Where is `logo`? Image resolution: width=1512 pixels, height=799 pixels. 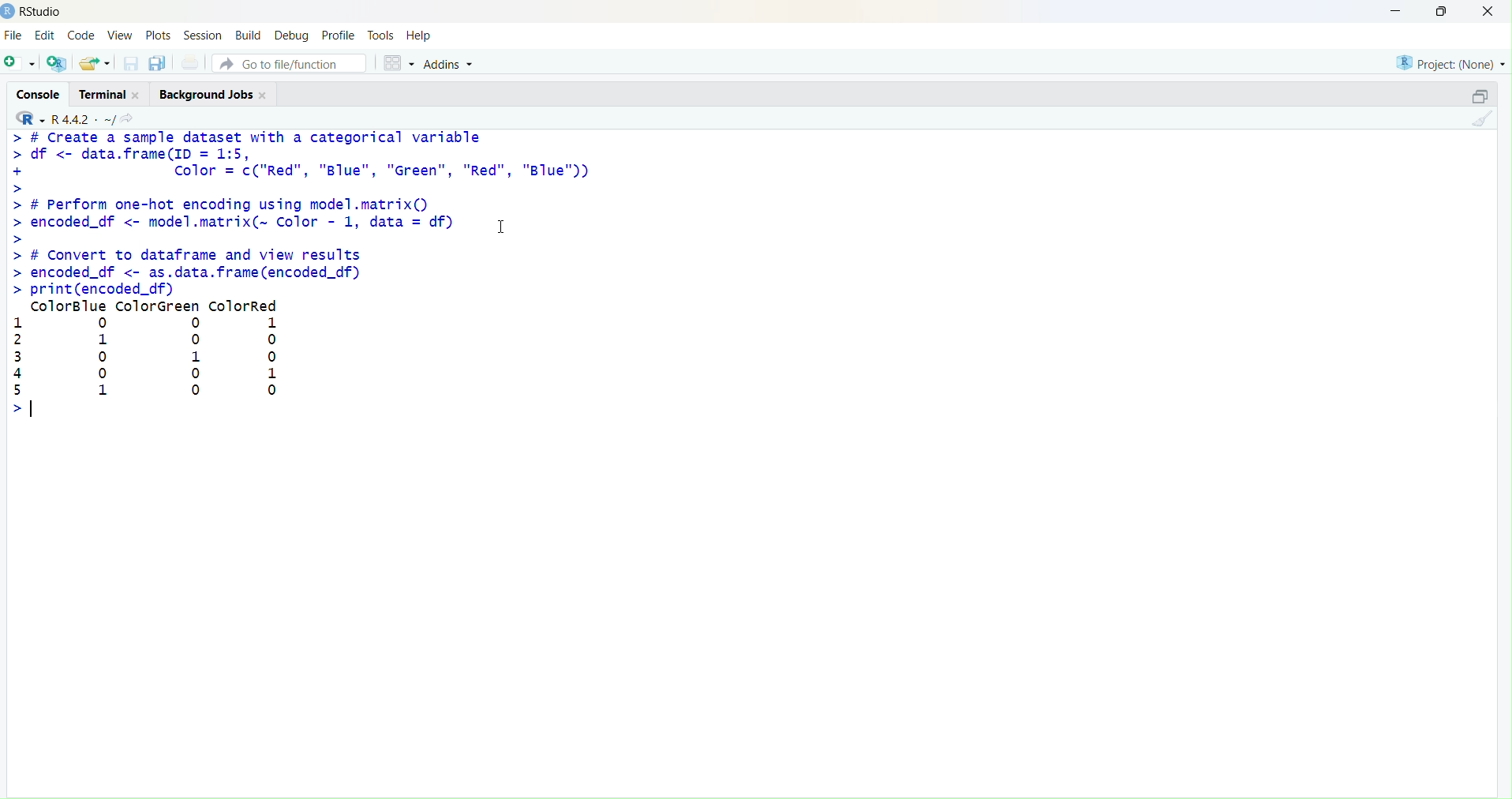 logo is located at coordinates (9, 13).